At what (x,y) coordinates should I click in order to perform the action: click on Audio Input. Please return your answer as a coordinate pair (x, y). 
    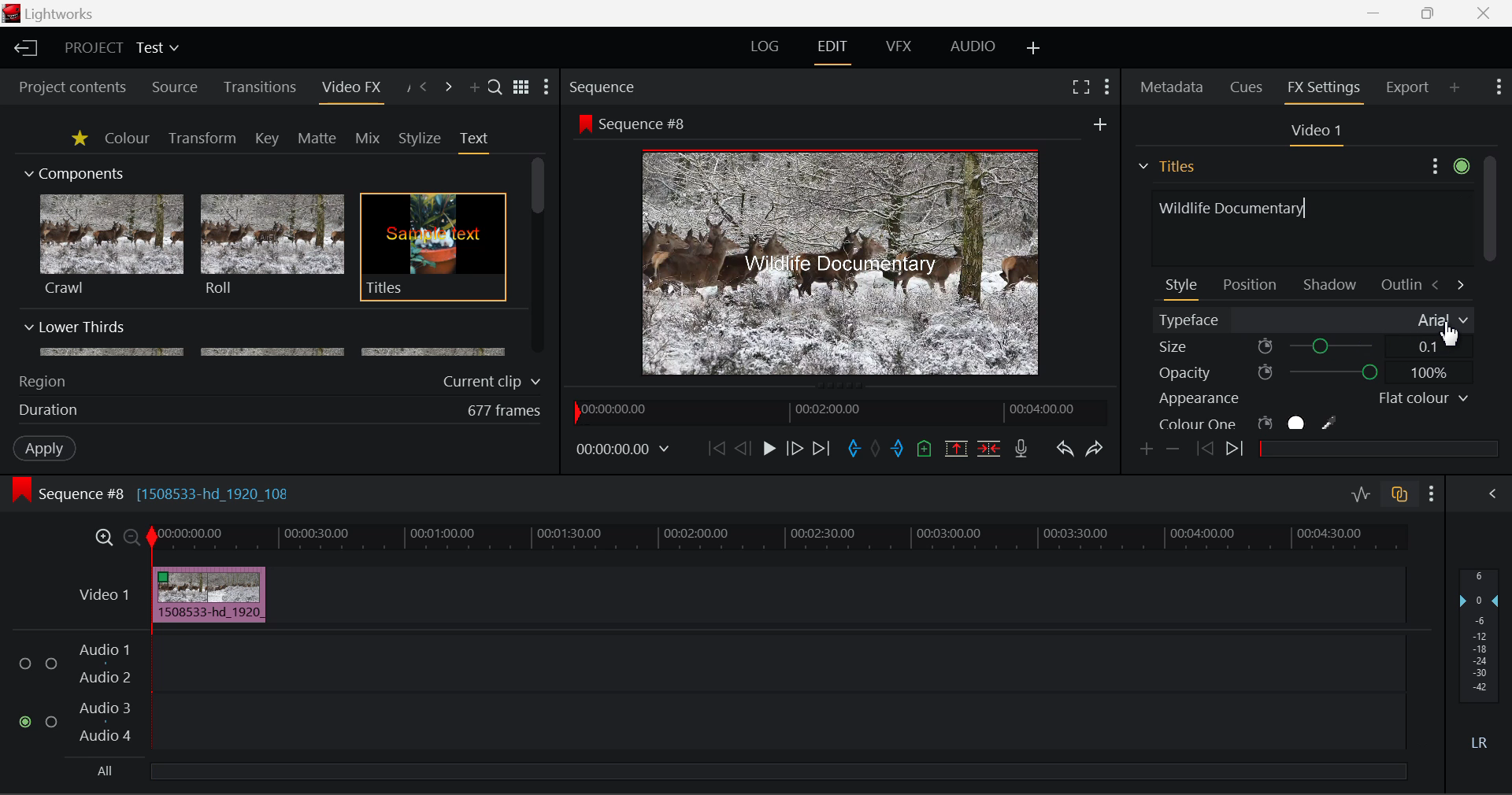
    Looking at the image, I should click on (775, 695).